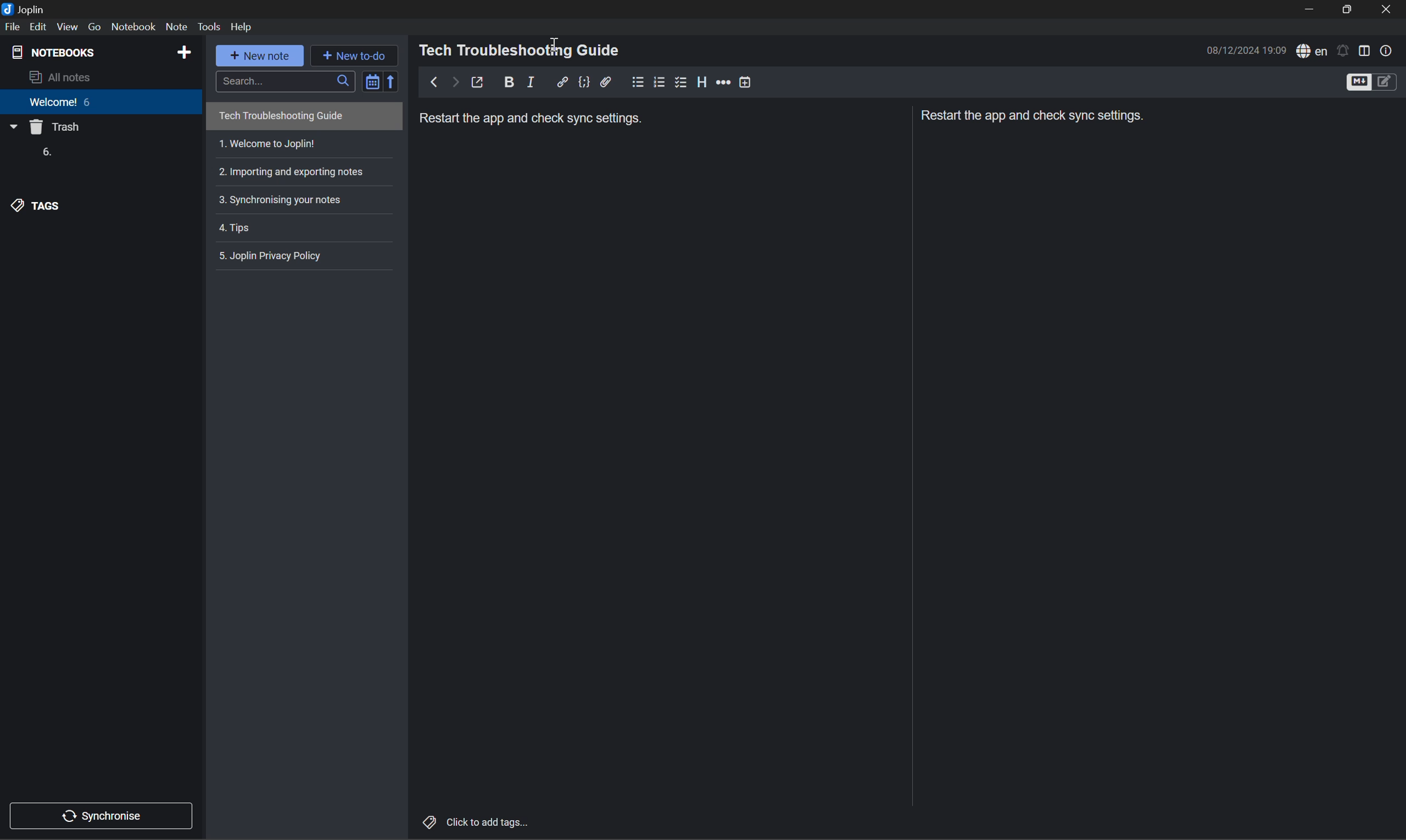  Describe the element at coordinates (370, 80) in the screenshot. I see `Toggle sort order field` at that location.